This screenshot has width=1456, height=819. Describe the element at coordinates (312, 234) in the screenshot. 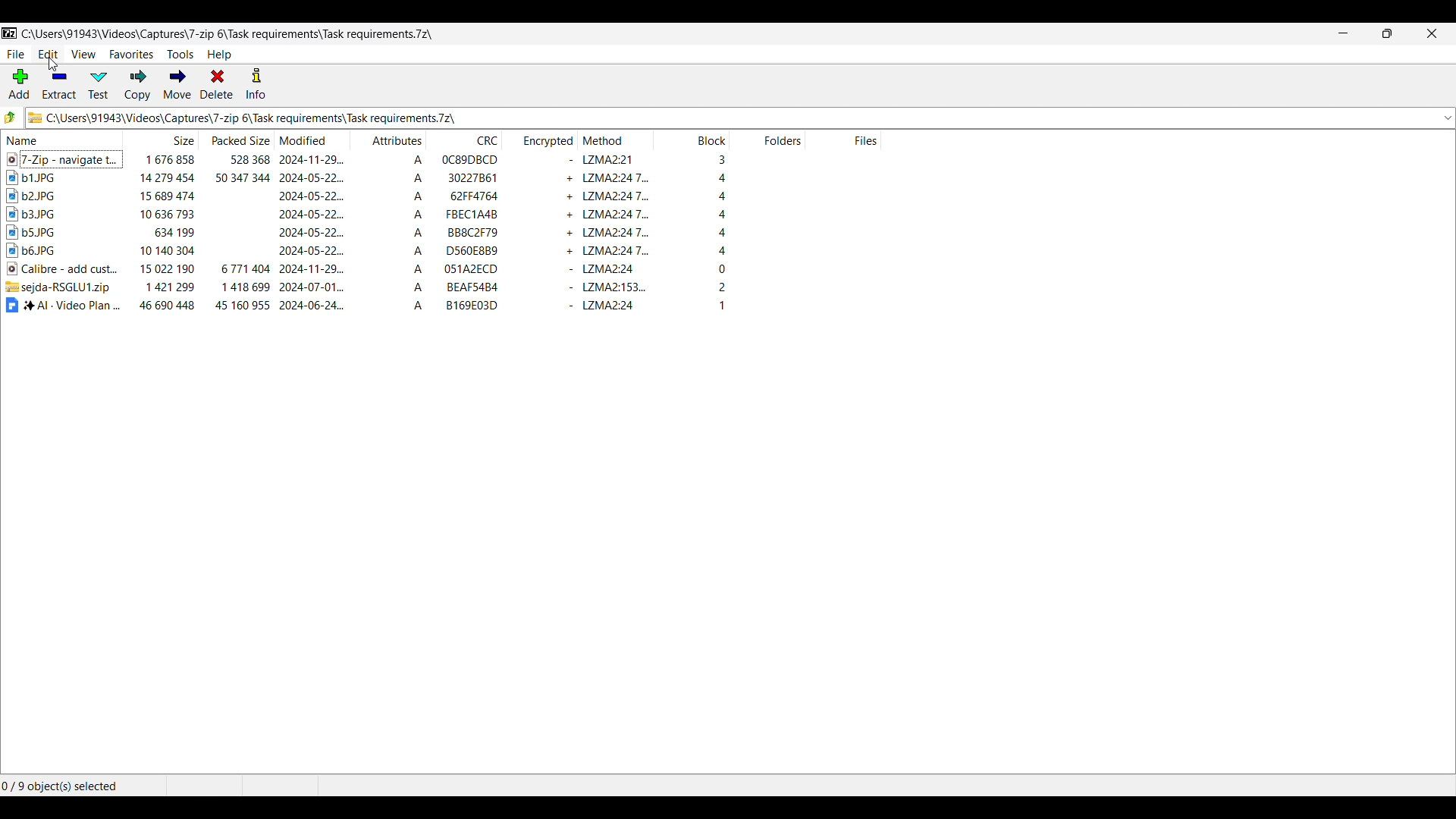

I see `Modified Date` at that location.